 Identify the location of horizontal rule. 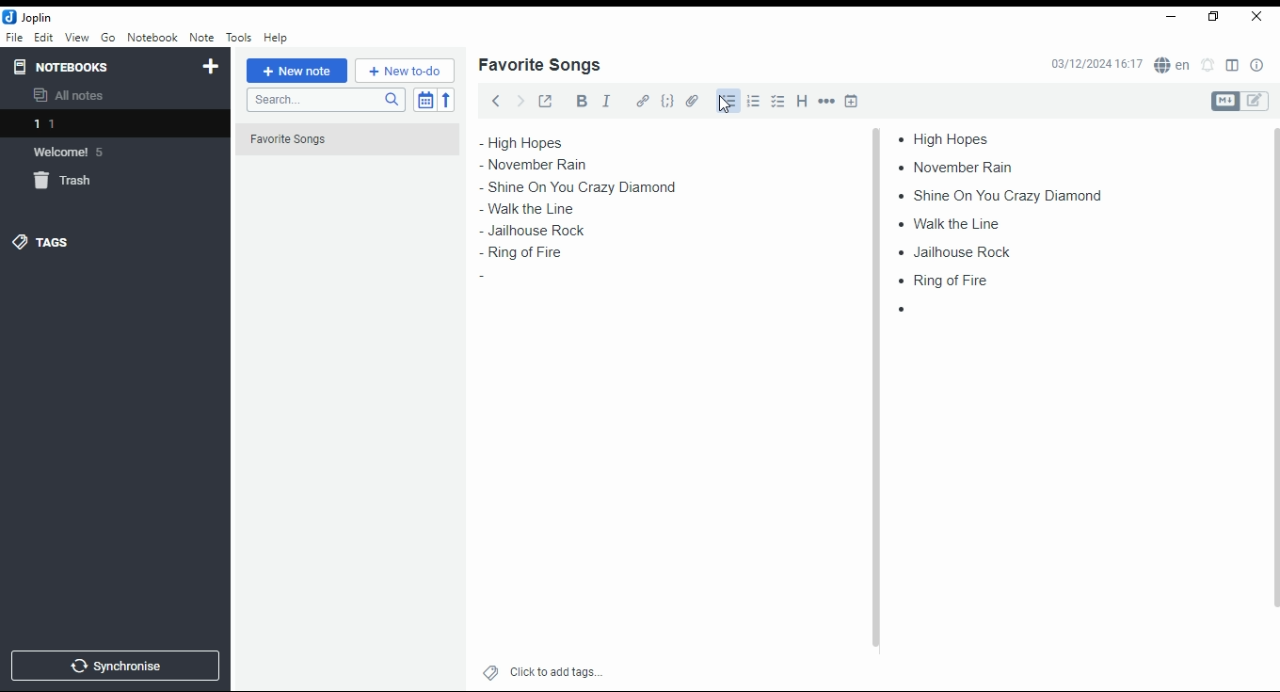
(828, 100).